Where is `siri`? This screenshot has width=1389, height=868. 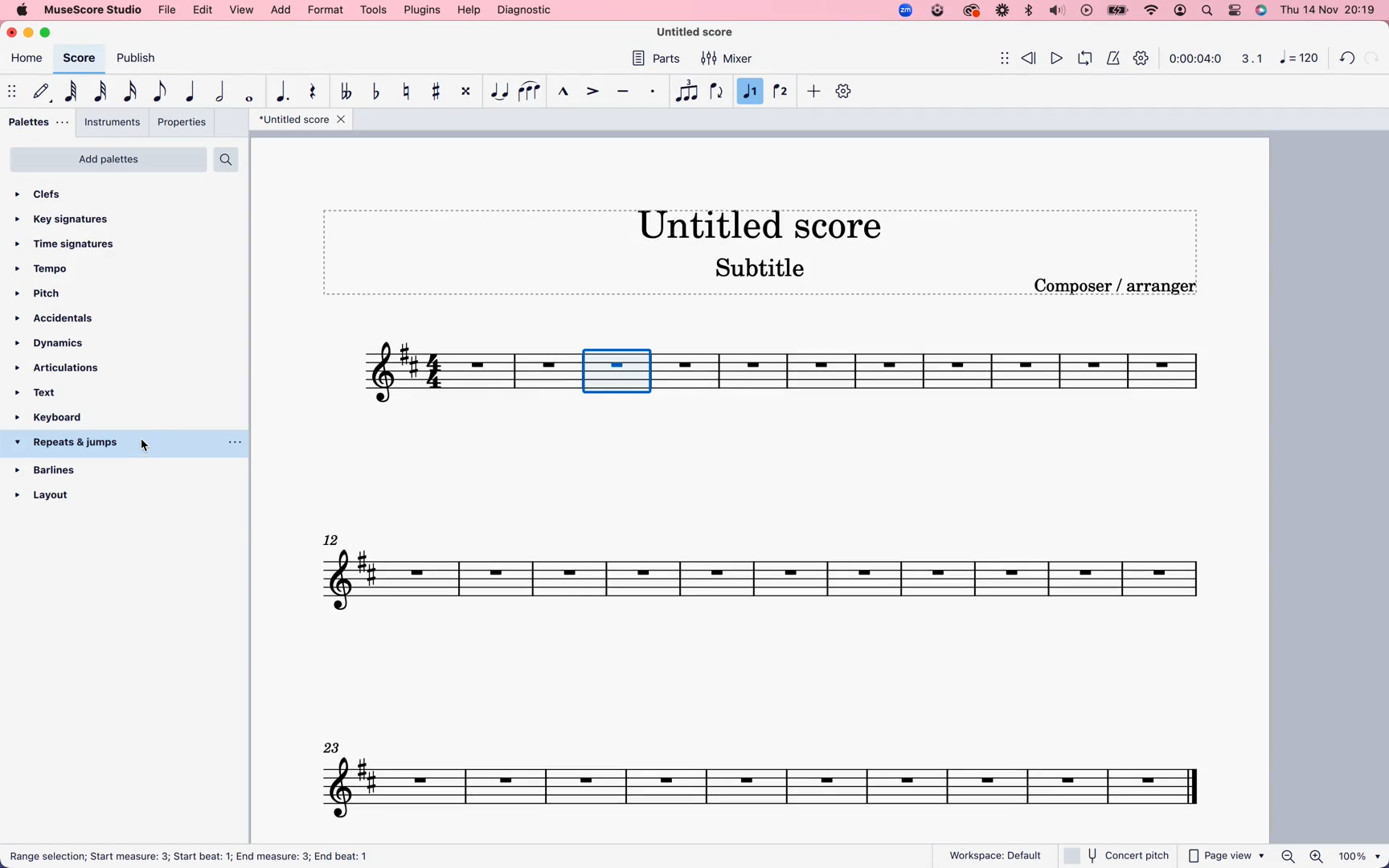 siri is located at coordinates (1259, 10).